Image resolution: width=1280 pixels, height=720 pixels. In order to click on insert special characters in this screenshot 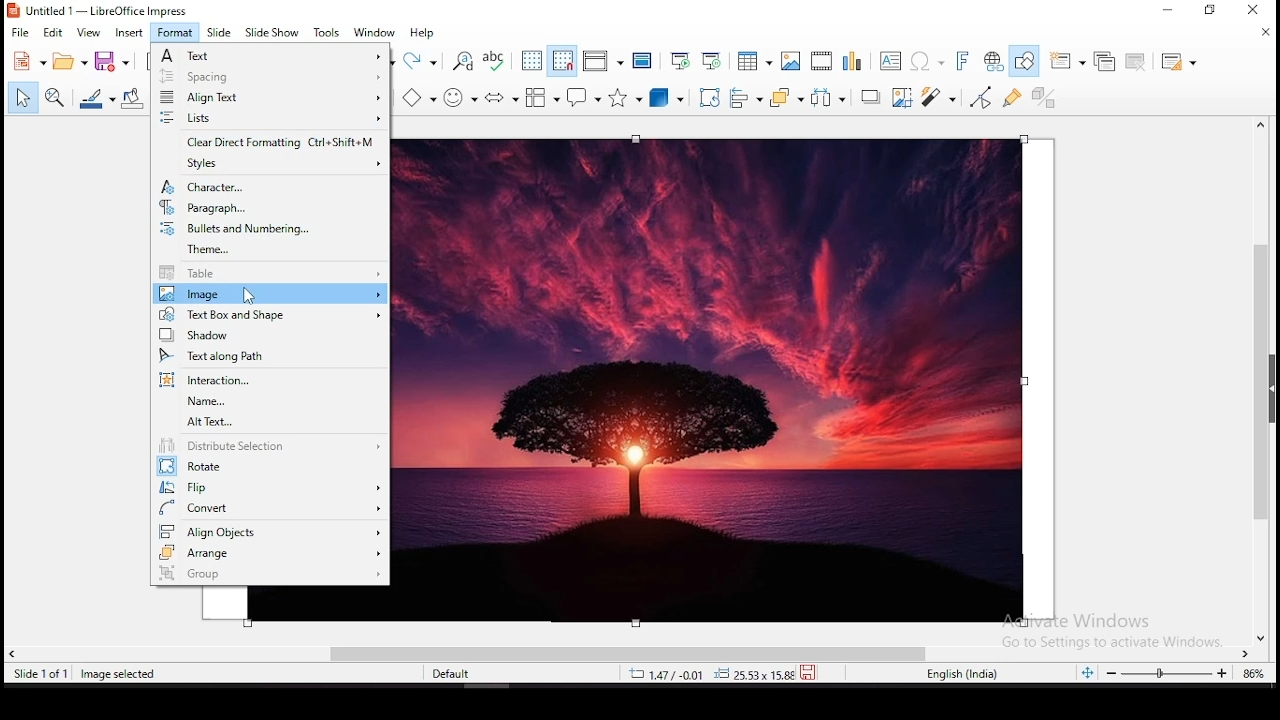, I will do `click(925, 61)`.